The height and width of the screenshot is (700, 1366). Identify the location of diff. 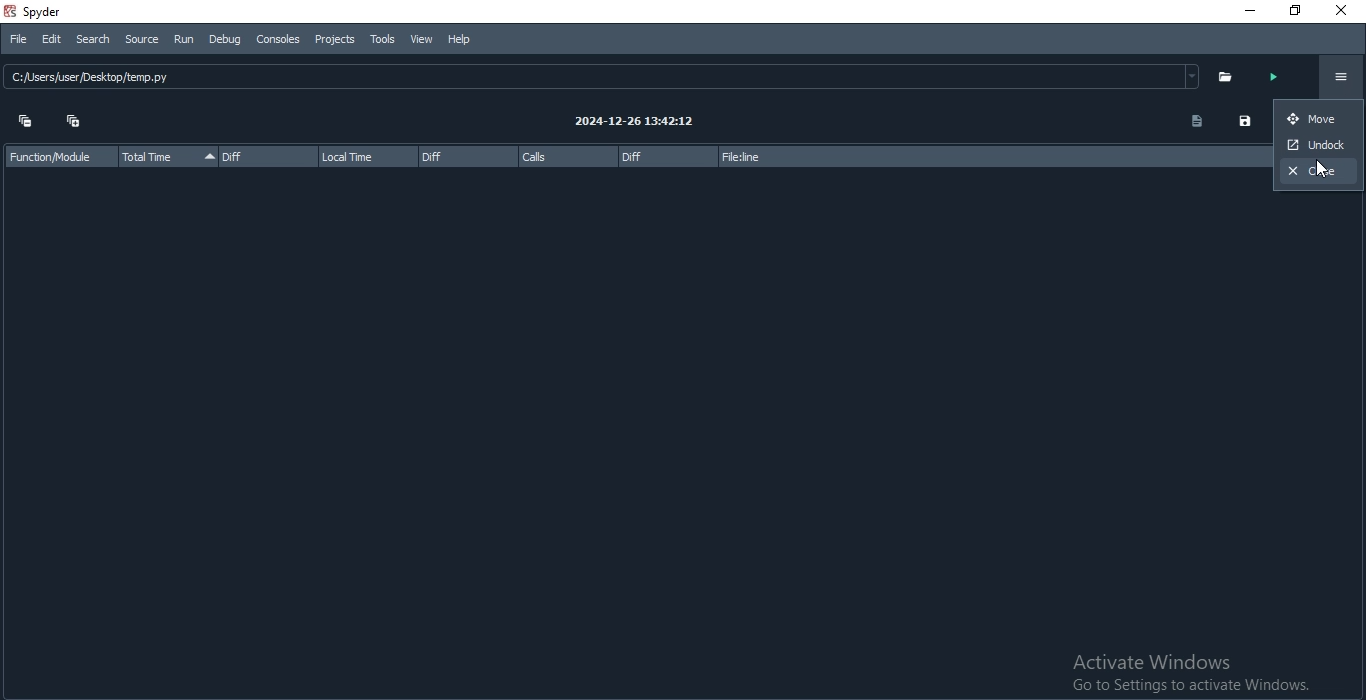
(666, 157).